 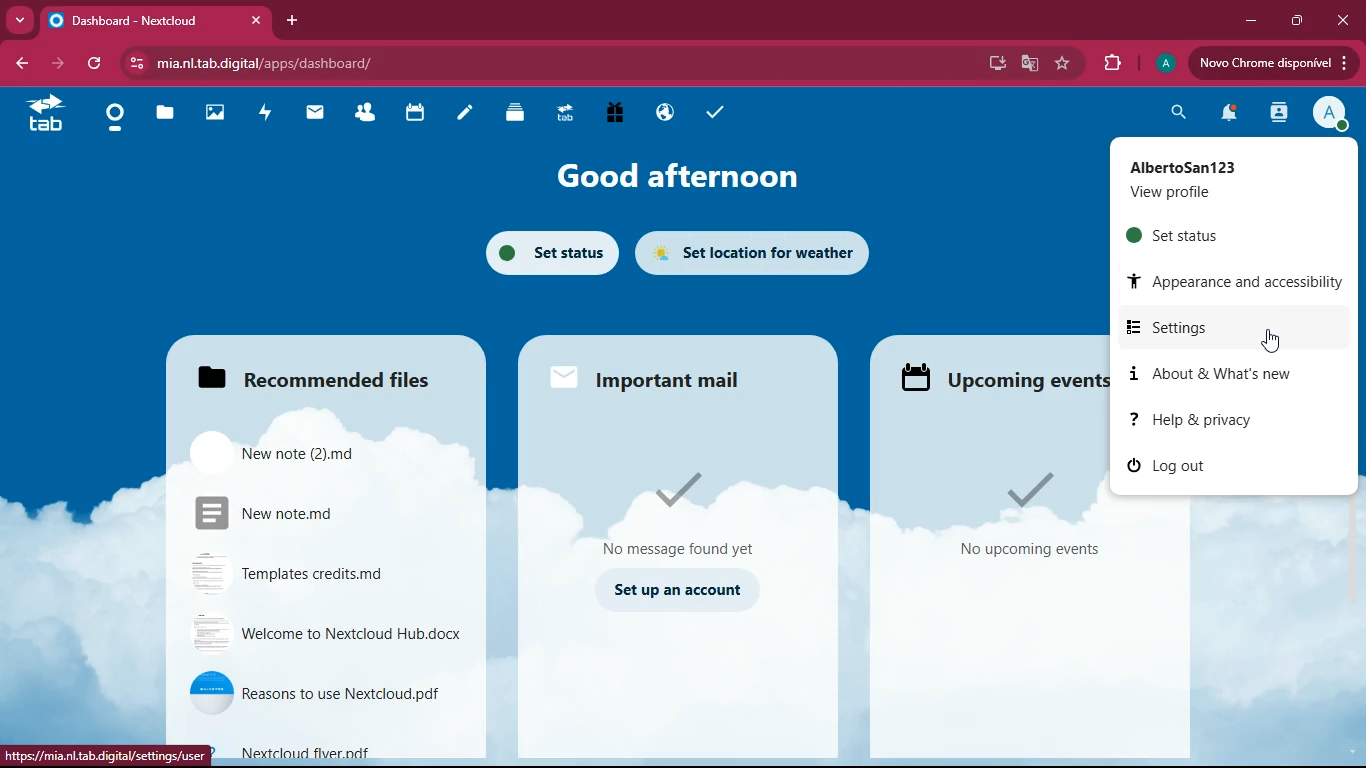 What do you see at coordinates (1217, 420) in the screenshot?
I see `help` at bounding box center [1217, 420].